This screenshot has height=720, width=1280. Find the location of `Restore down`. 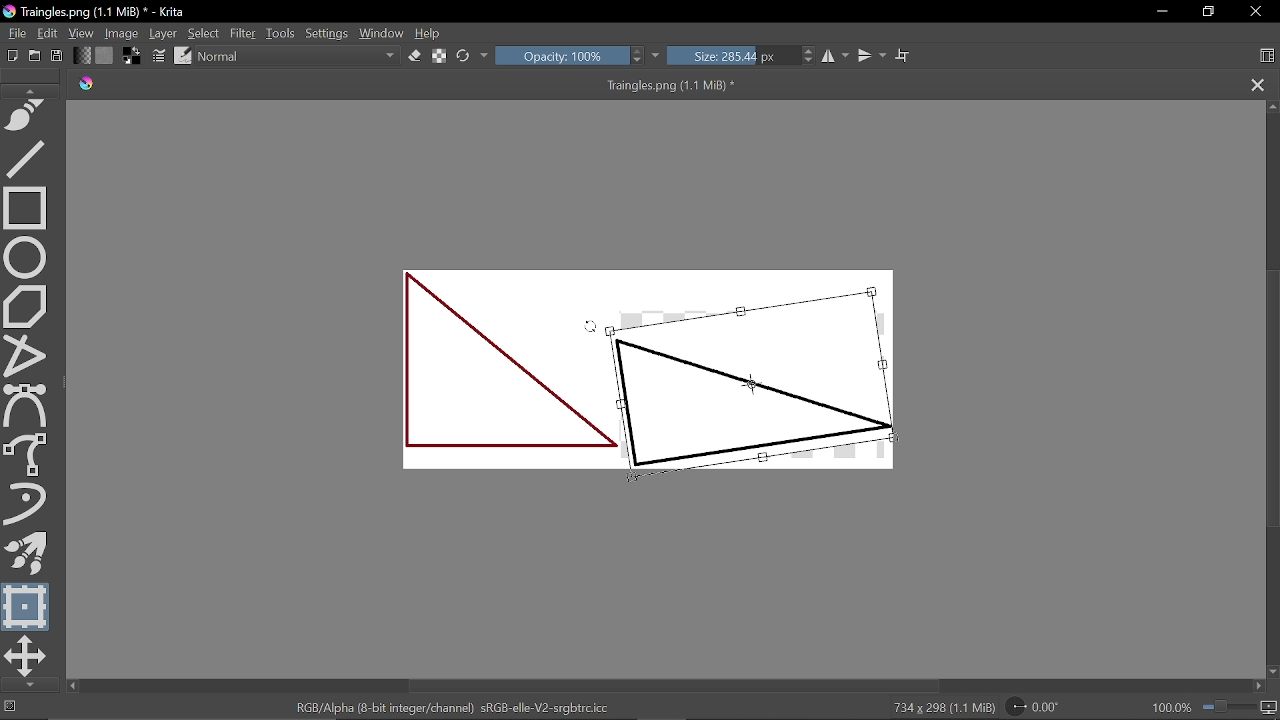

Restore down is located at coordinates (1206, 13).